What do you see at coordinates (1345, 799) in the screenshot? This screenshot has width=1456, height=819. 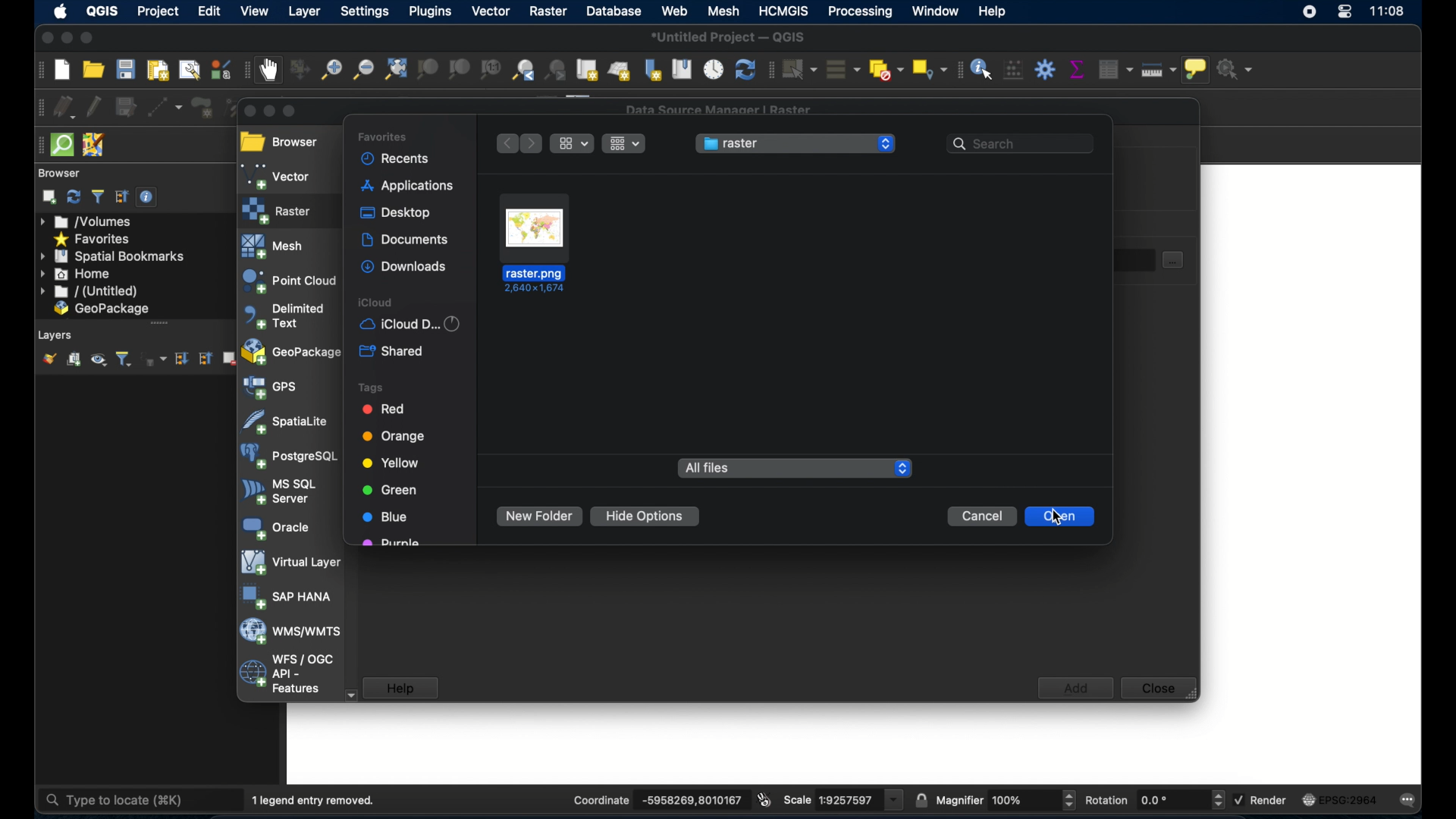 I see `current csr` at bounding box center [1345, 799].